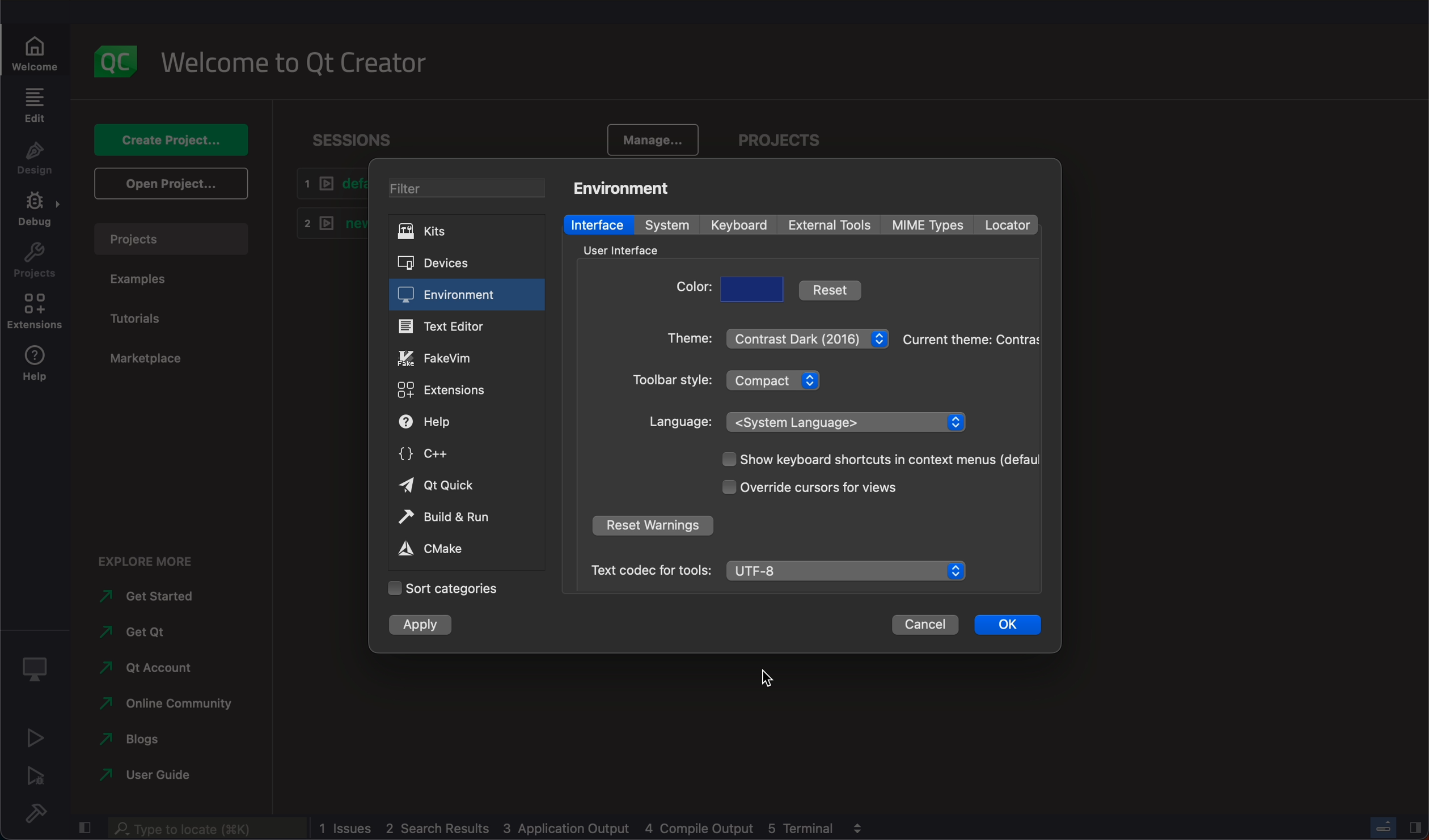  What do you see at coordinates (925, 625) in the screenshot?
I see `cancel` at bounding box center [925, 625].